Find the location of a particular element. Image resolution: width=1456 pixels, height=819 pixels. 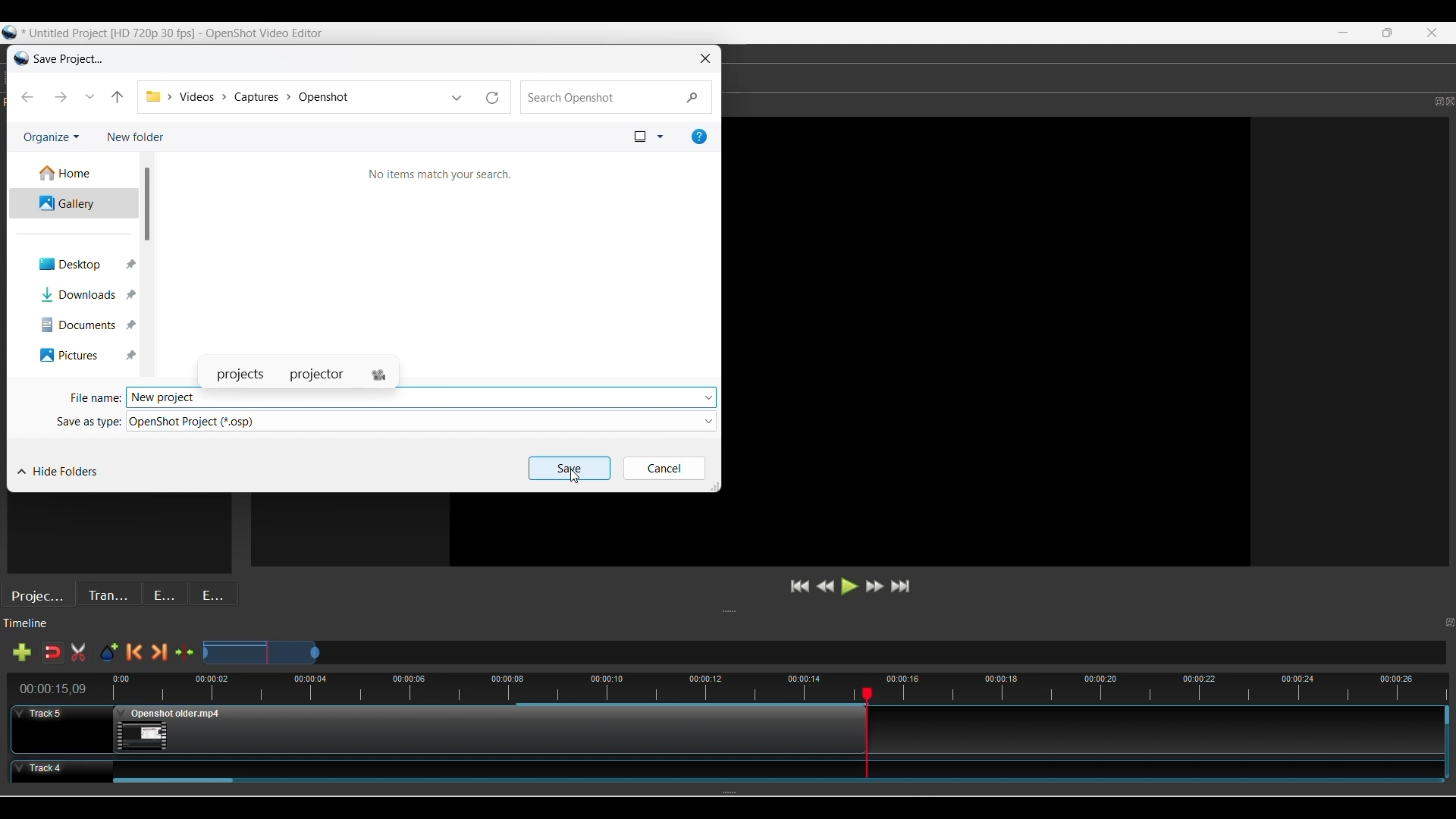

maximize is located at coordinates (1426, 101).